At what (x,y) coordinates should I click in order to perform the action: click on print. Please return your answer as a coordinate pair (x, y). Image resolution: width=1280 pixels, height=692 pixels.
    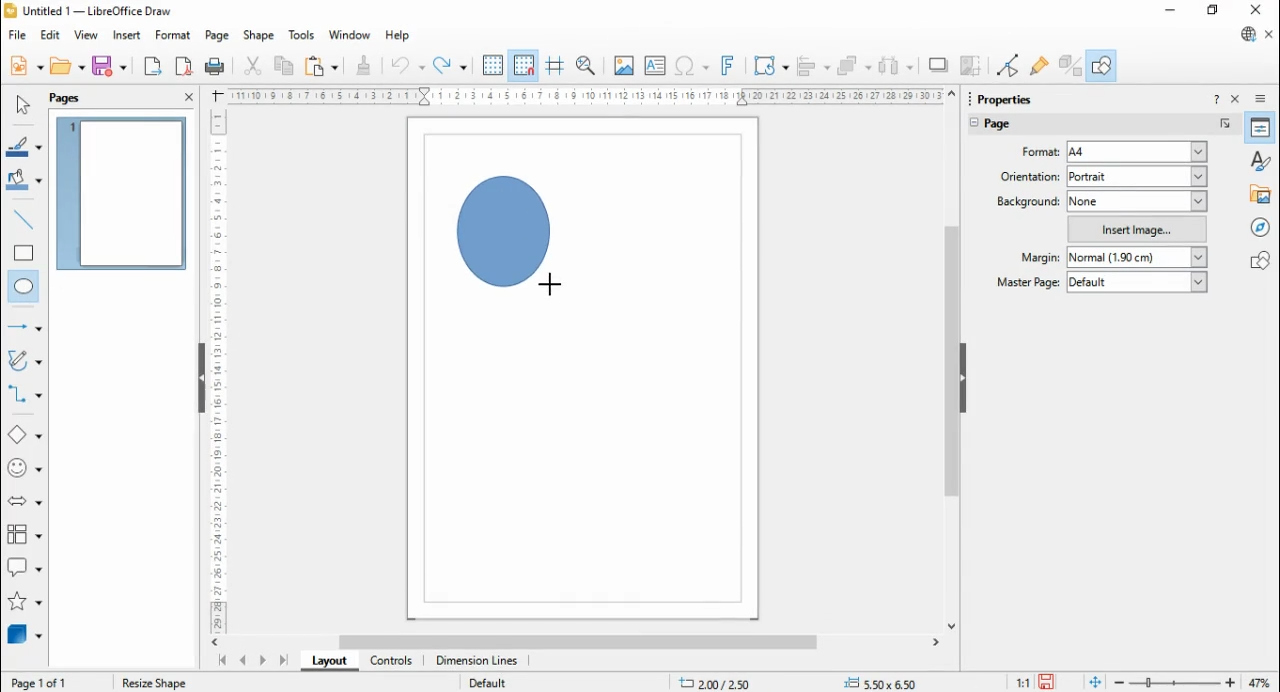
    Looking at the image, I should click on (214, 66).